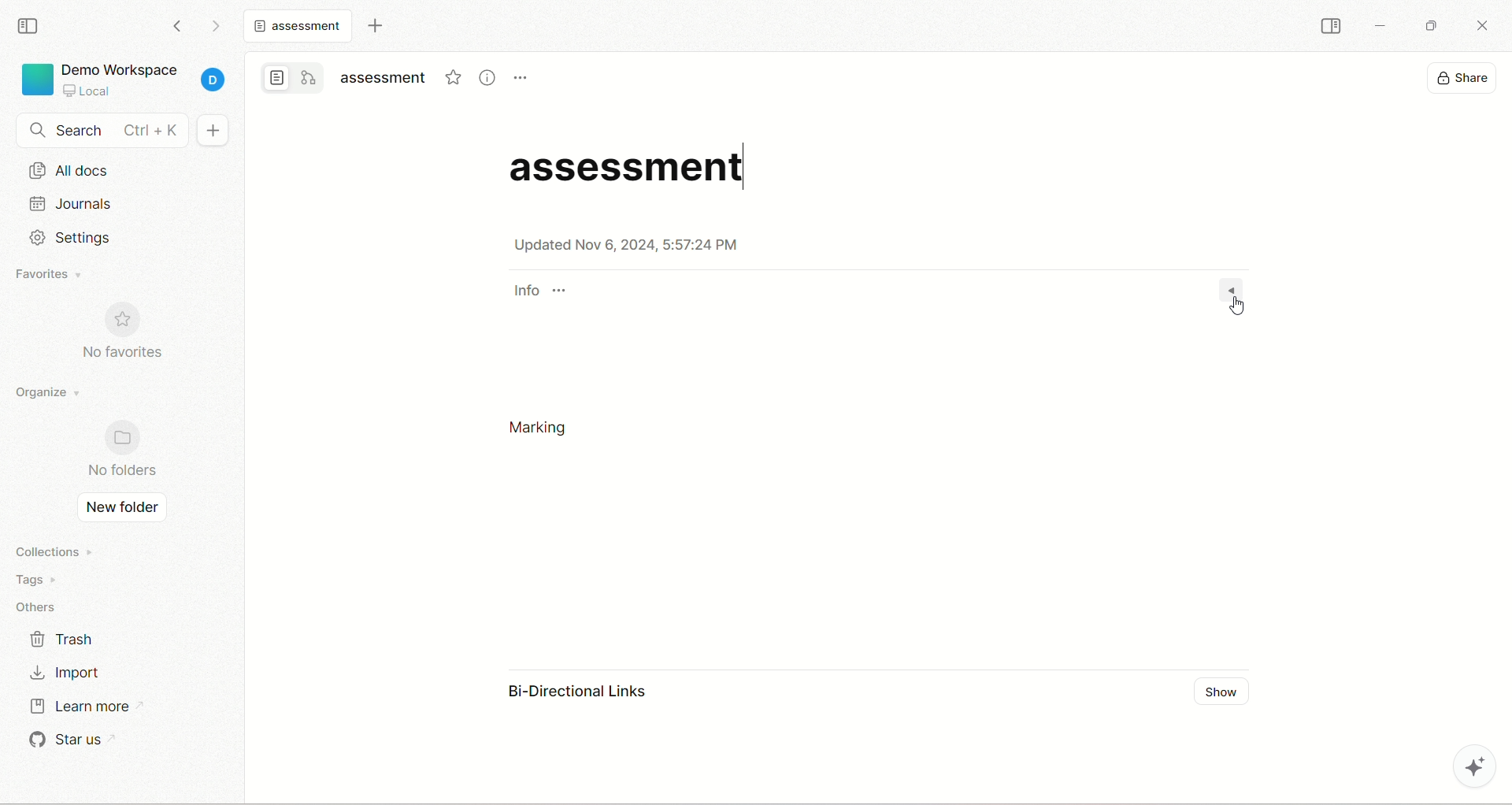  Describe the element at coordinates (302, 28) in the screenshot. I see `assessment` at that location.